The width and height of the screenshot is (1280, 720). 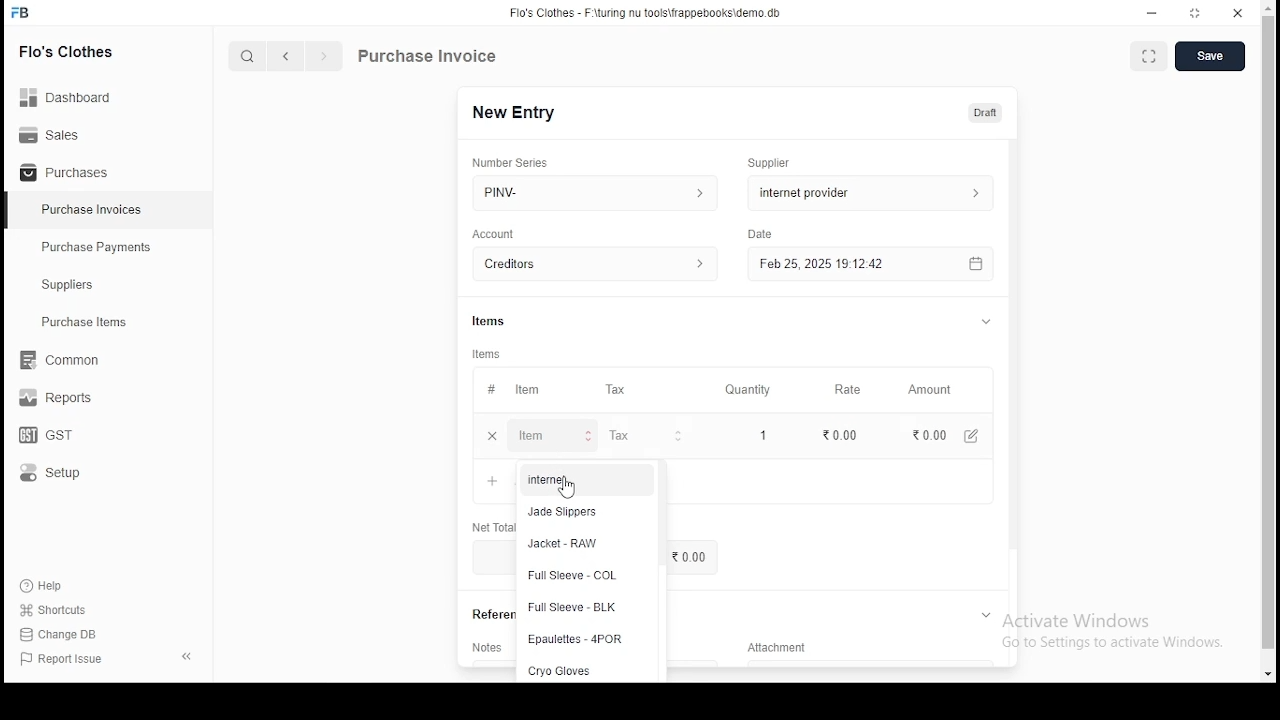 What do you see at coordinates (750, 390) in the screenshot?
I see `quality` at bounding box center [750, 390].